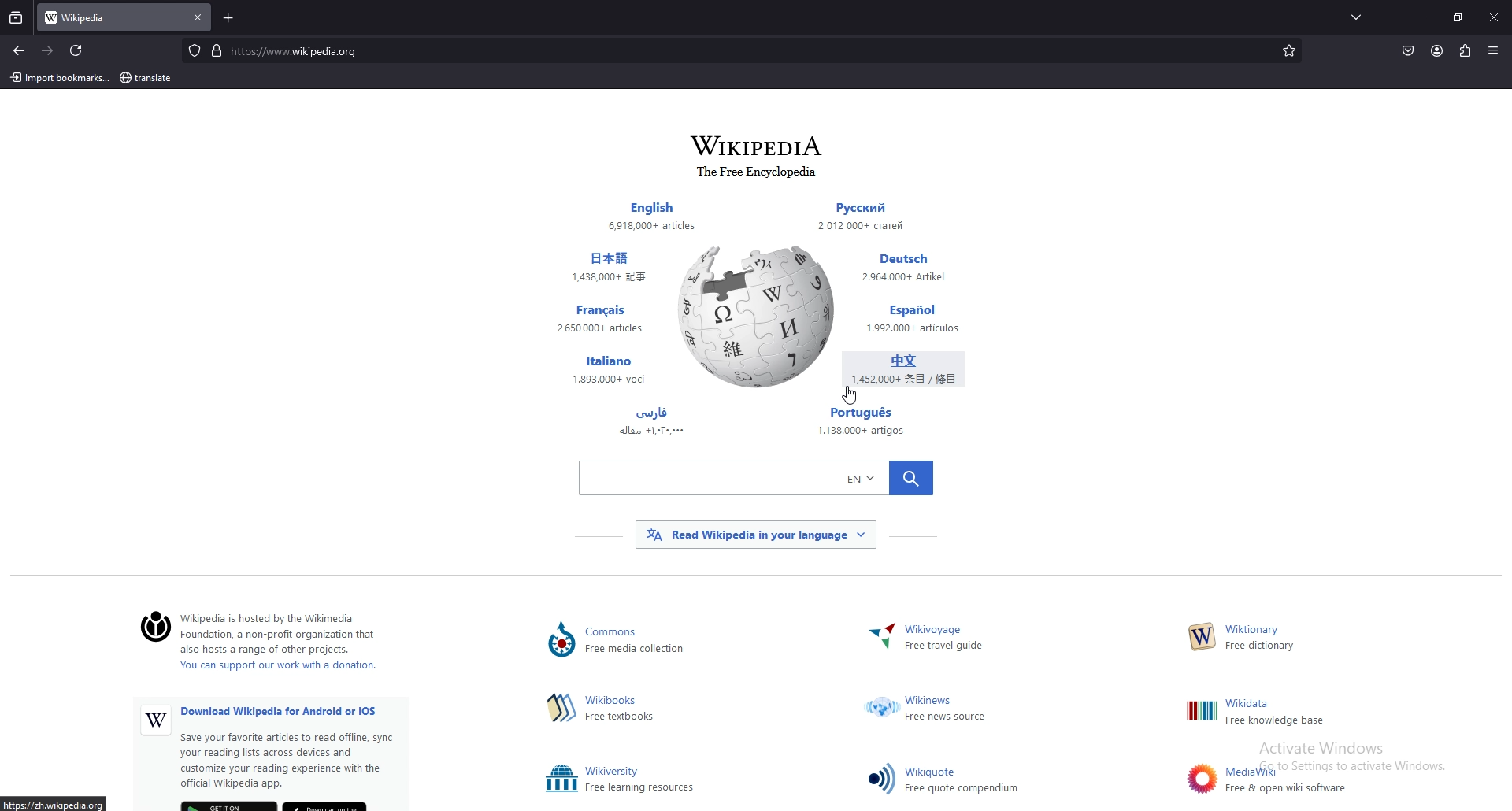 Image resolution: width=1512 pixels, height=811 pixels. Describe the element at coordinates (153, 77) in the screenshot. I see `translate` at that location.